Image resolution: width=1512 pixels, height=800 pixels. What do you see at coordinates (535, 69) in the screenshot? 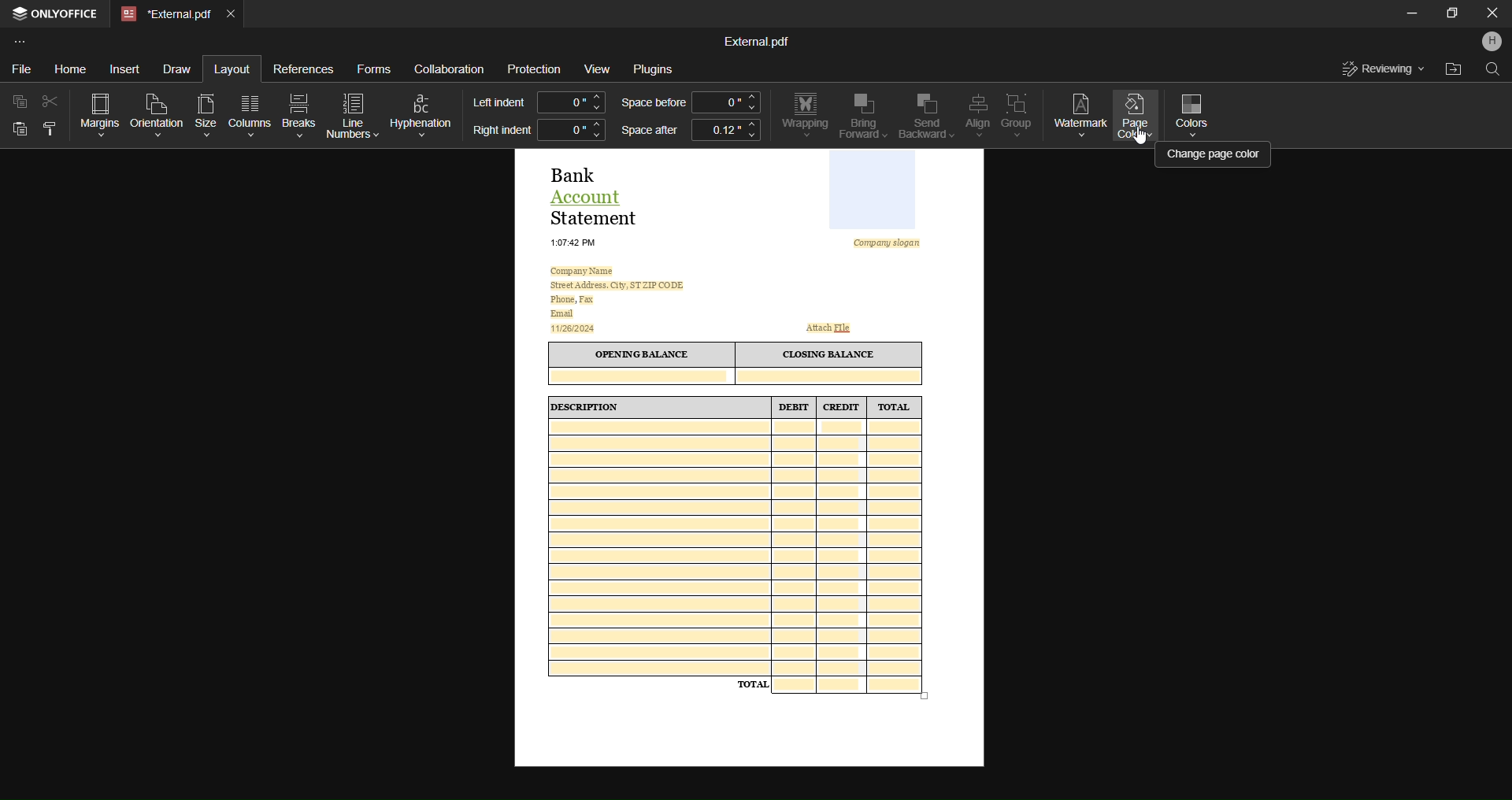
I see `Protection` at bounding box center [535, 69].